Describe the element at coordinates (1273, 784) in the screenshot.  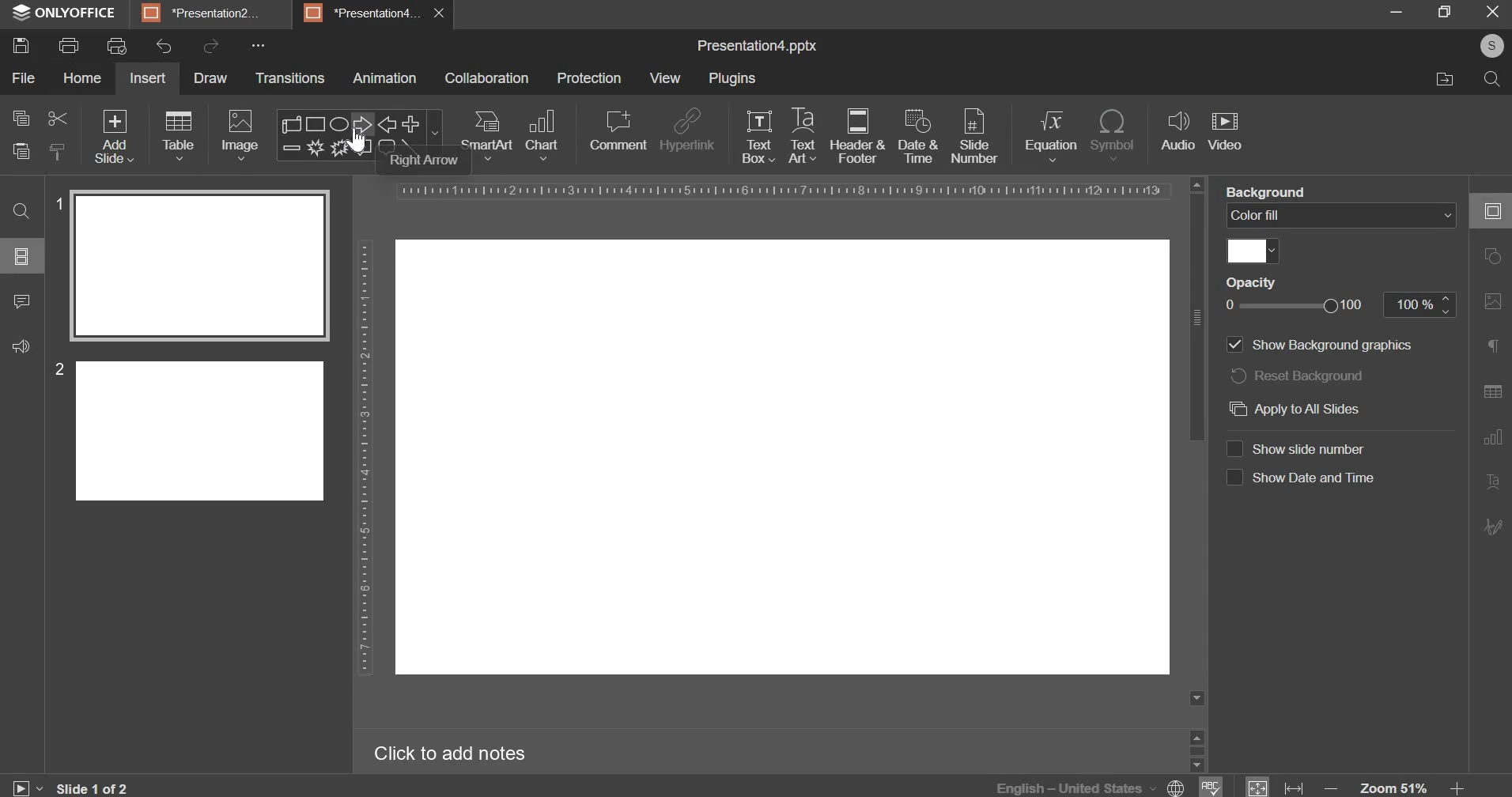
I see `fit` at that location.